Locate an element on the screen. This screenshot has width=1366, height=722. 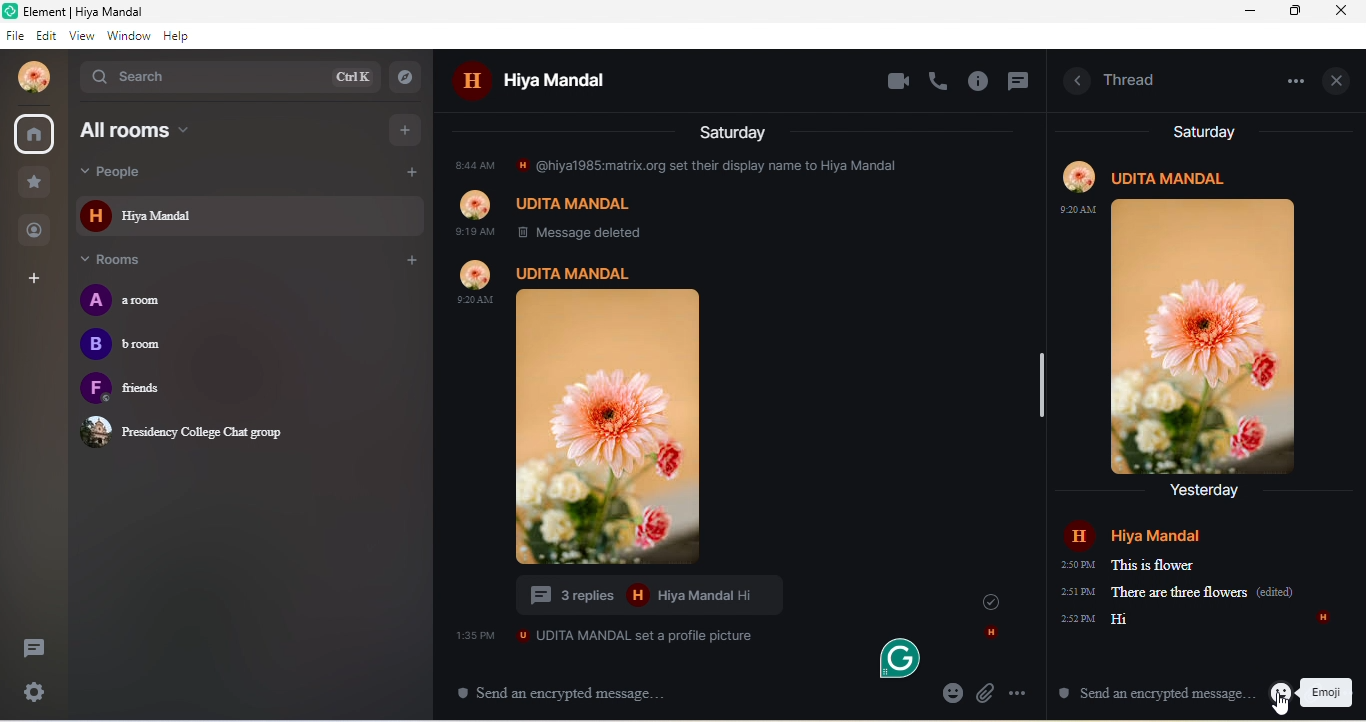
a room is located at coordinates (127, 299).